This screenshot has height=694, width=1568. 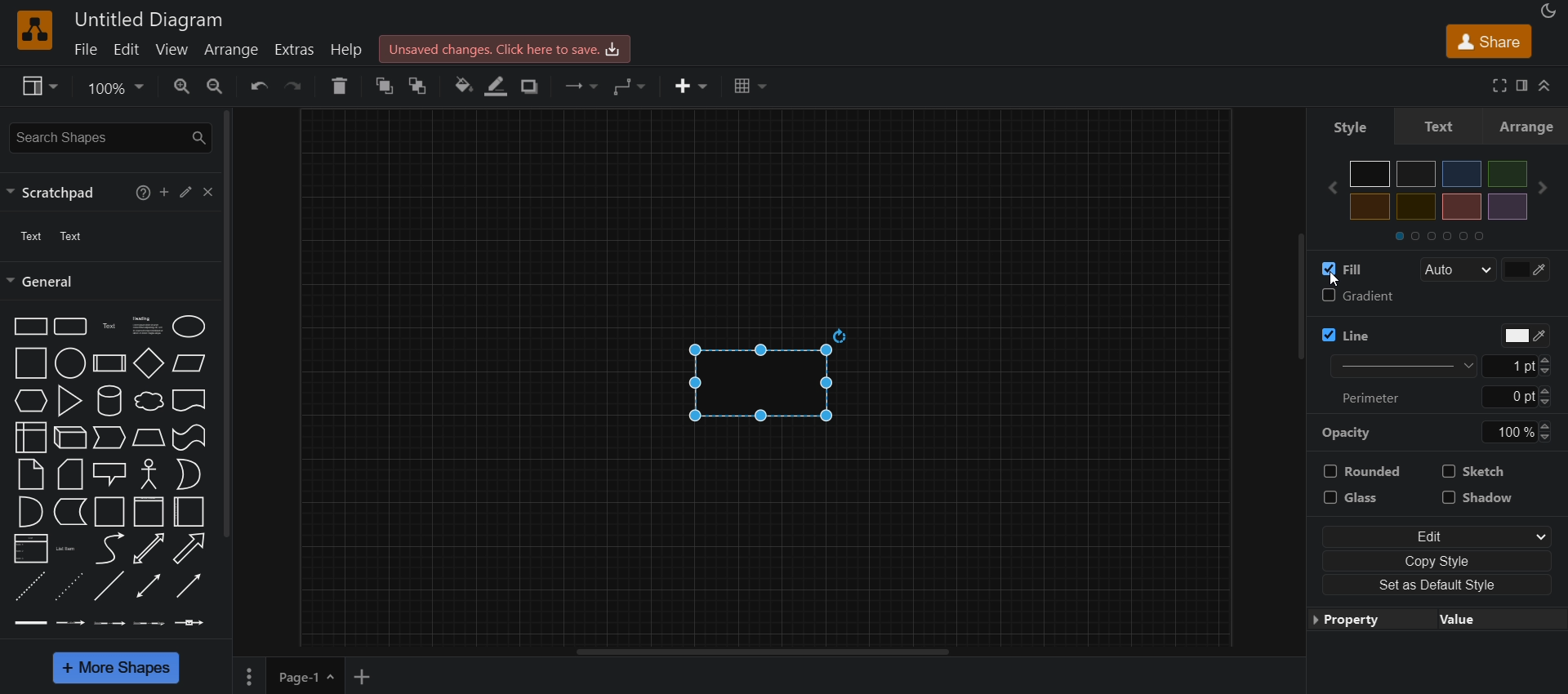 I want to click on cloud, so click(x=149, y=403).